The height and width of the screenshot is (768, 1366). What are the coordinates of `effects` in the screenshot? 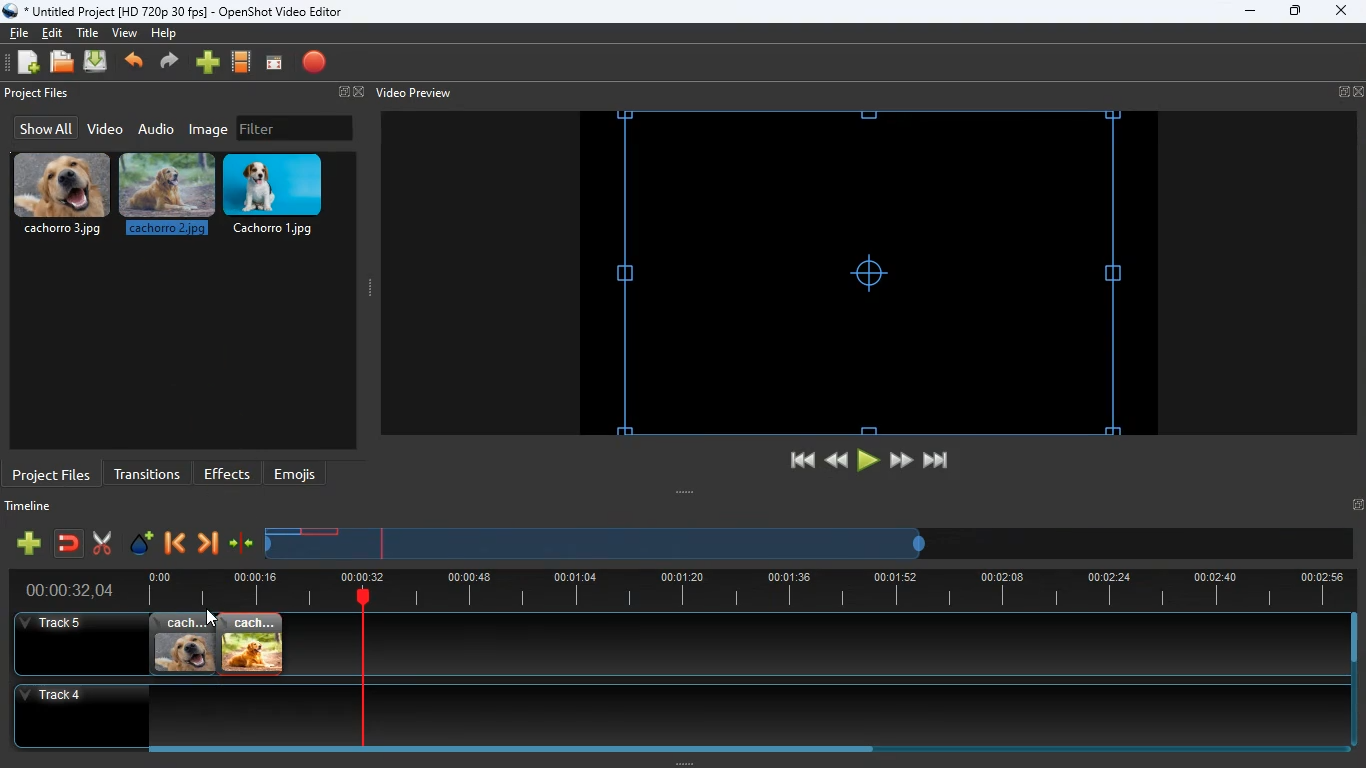 It's located at (228, 473).